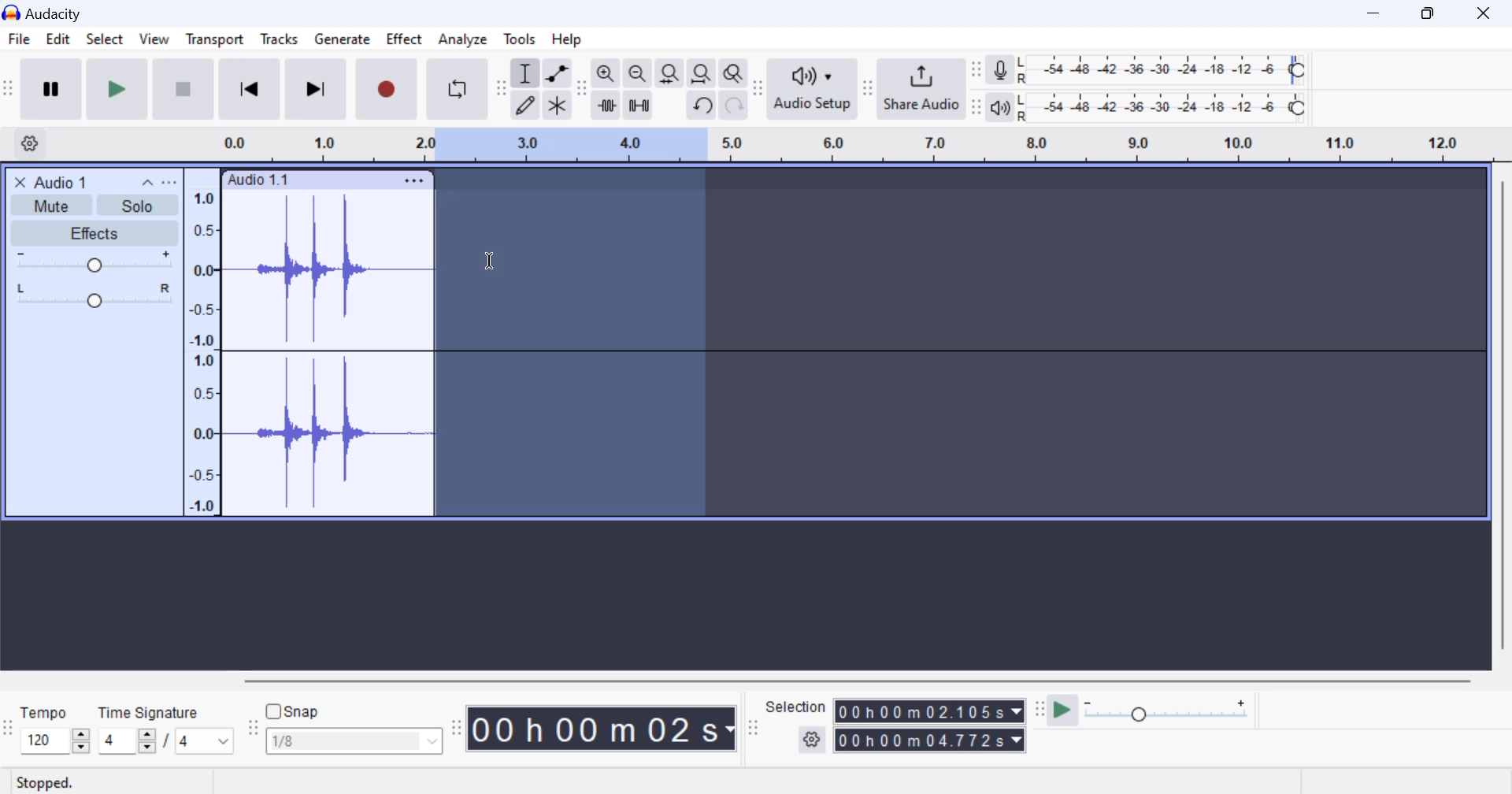 This screenshot has width=1512, height=794. I want to click on Record, so click(384, 90).